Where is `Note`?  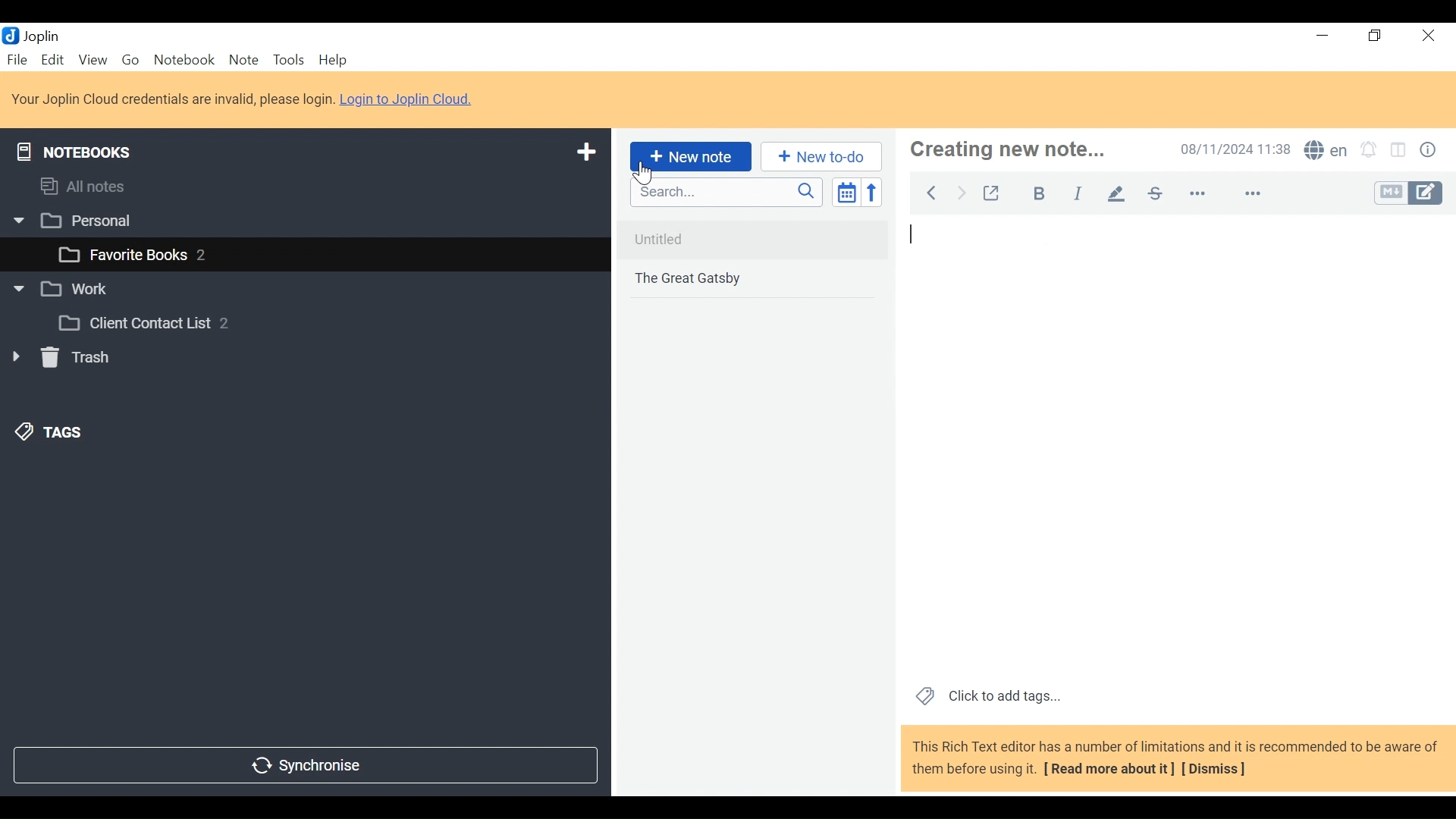
Note is located at coordinates (242, 60).